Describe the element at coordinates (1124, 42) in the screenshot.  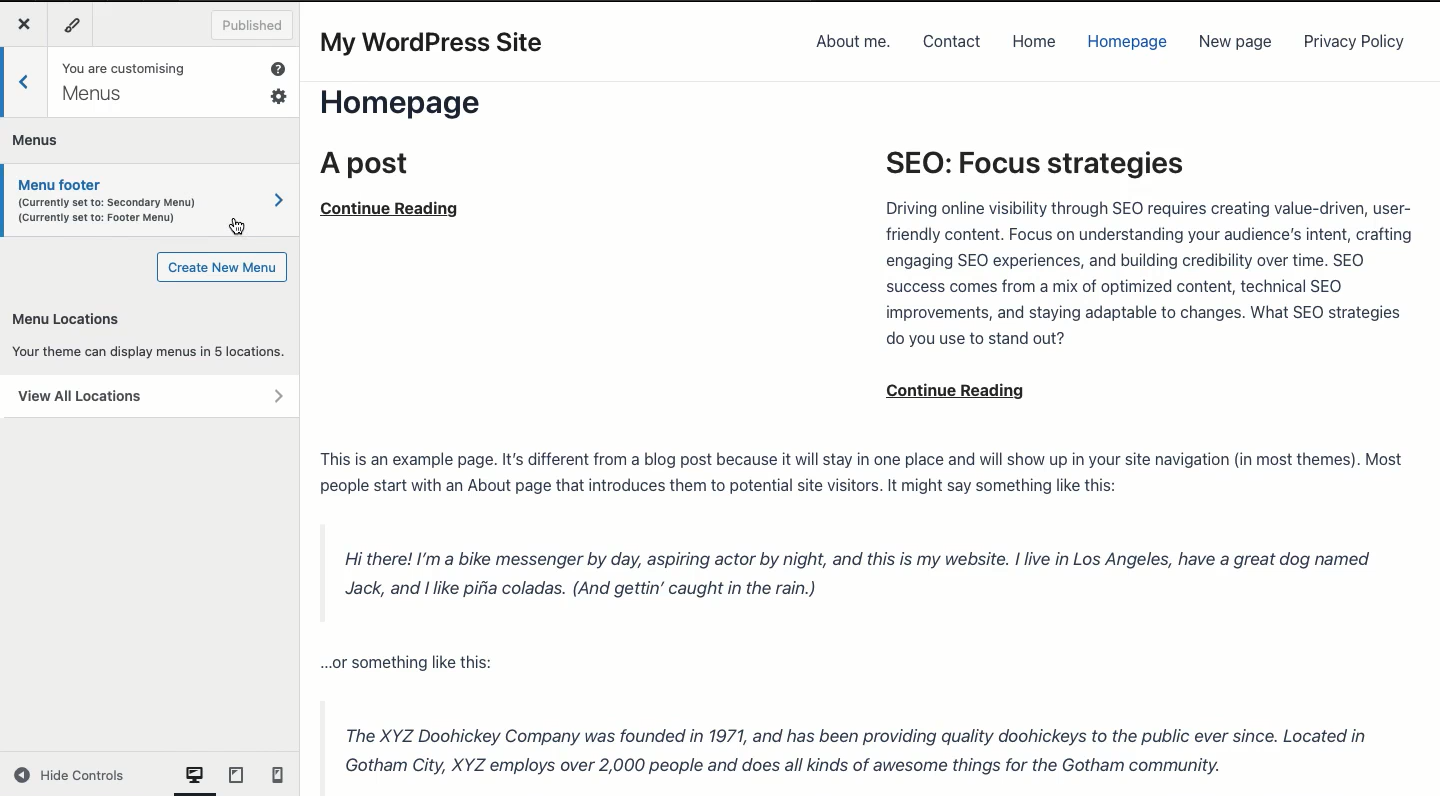
I see `Homepage` at that location.